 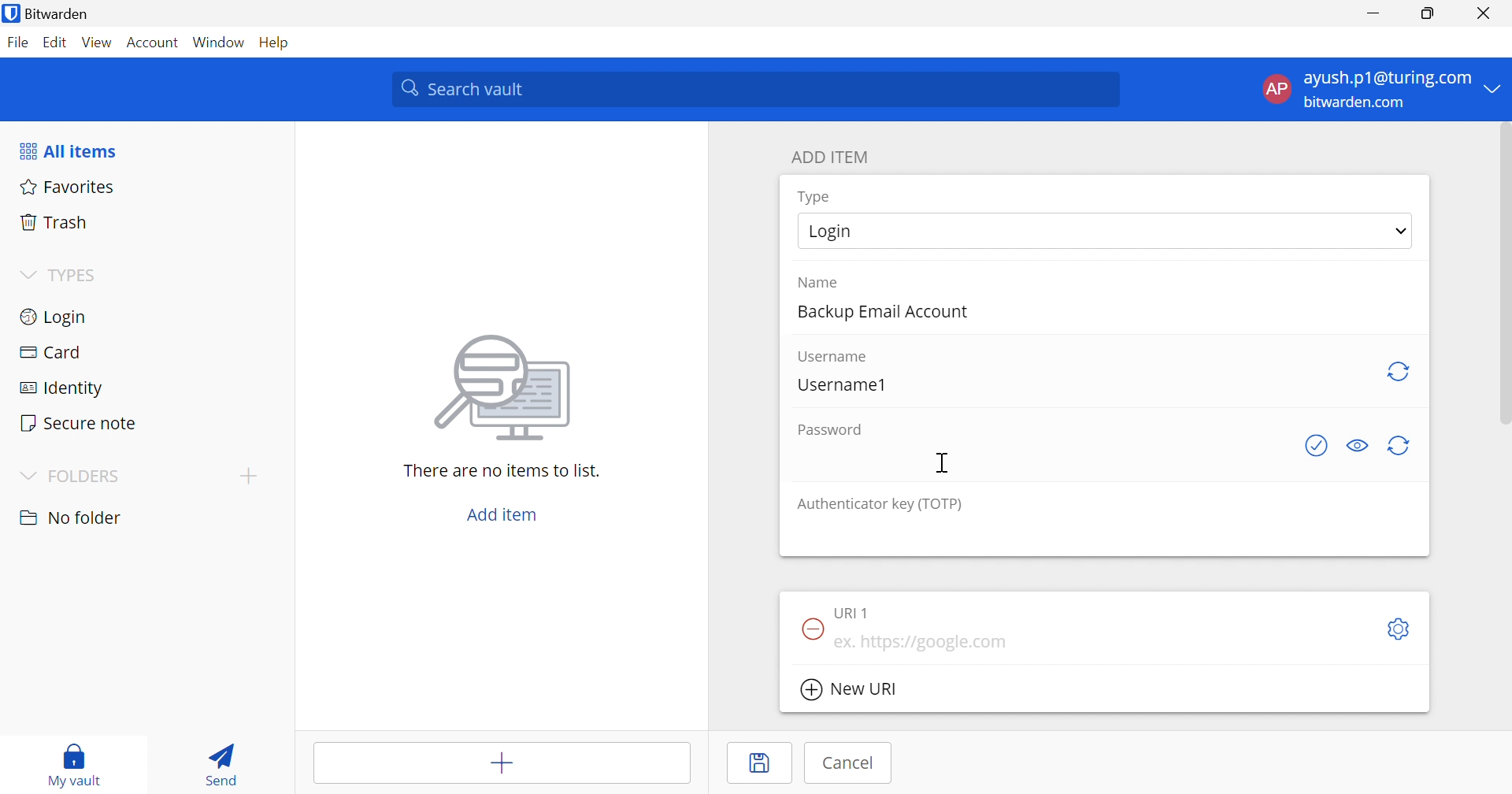 I want to click on Favorites, so click(x=69, y=186).